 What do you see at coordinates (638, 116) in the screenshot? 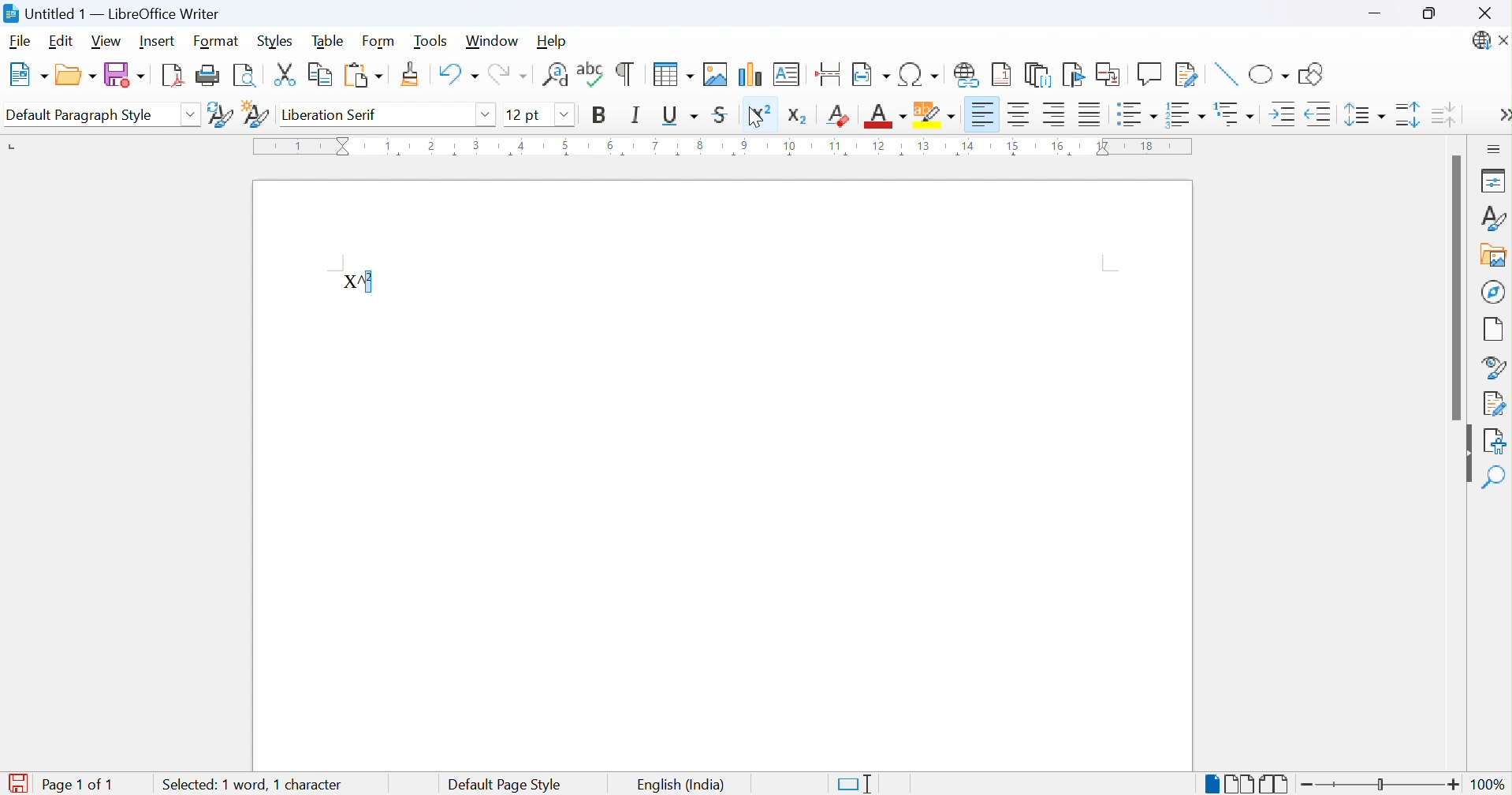
I see `Italic` at bounding box center [638, 116].